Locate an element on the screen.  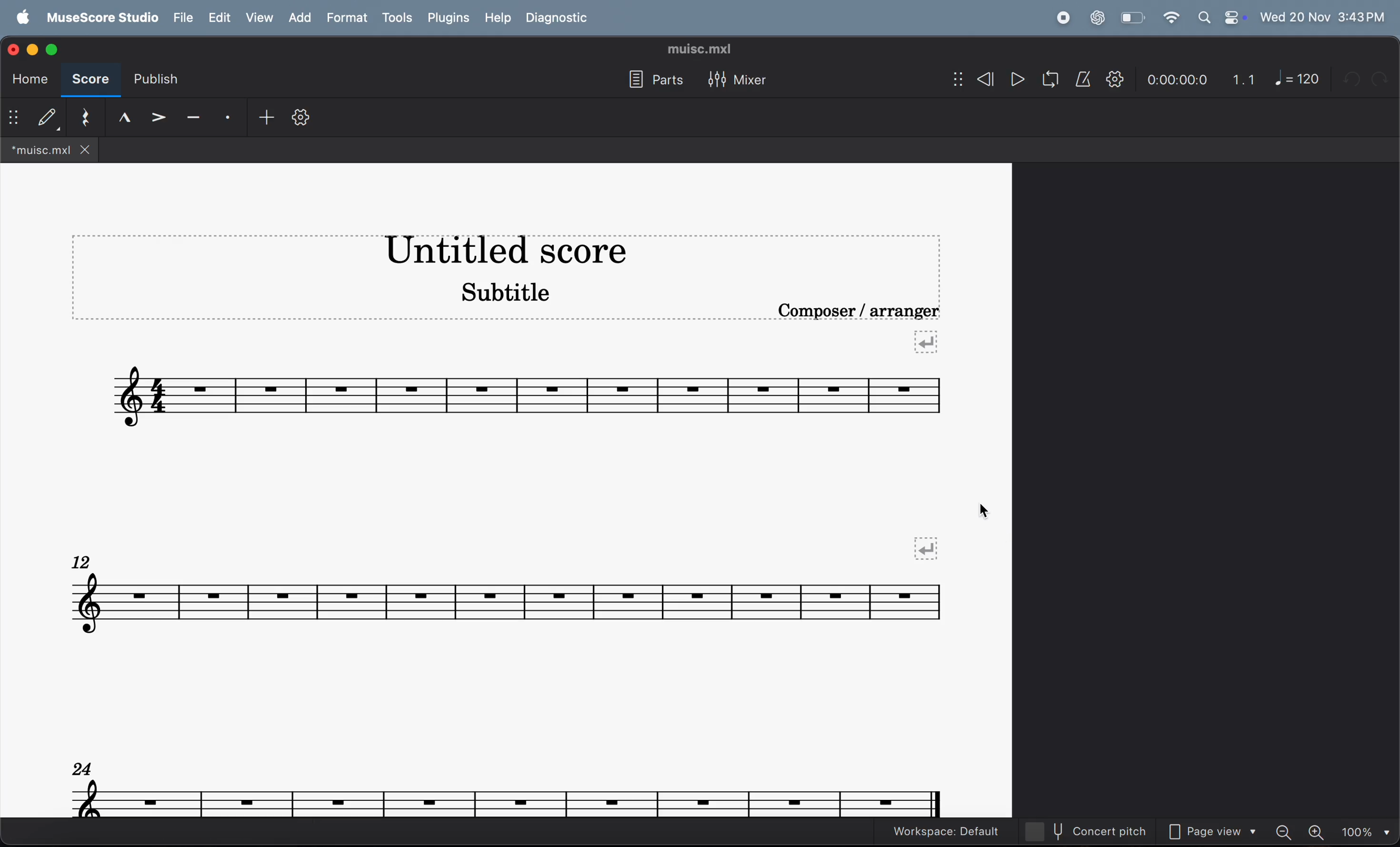
maximize is located at coordinates (53, 49).